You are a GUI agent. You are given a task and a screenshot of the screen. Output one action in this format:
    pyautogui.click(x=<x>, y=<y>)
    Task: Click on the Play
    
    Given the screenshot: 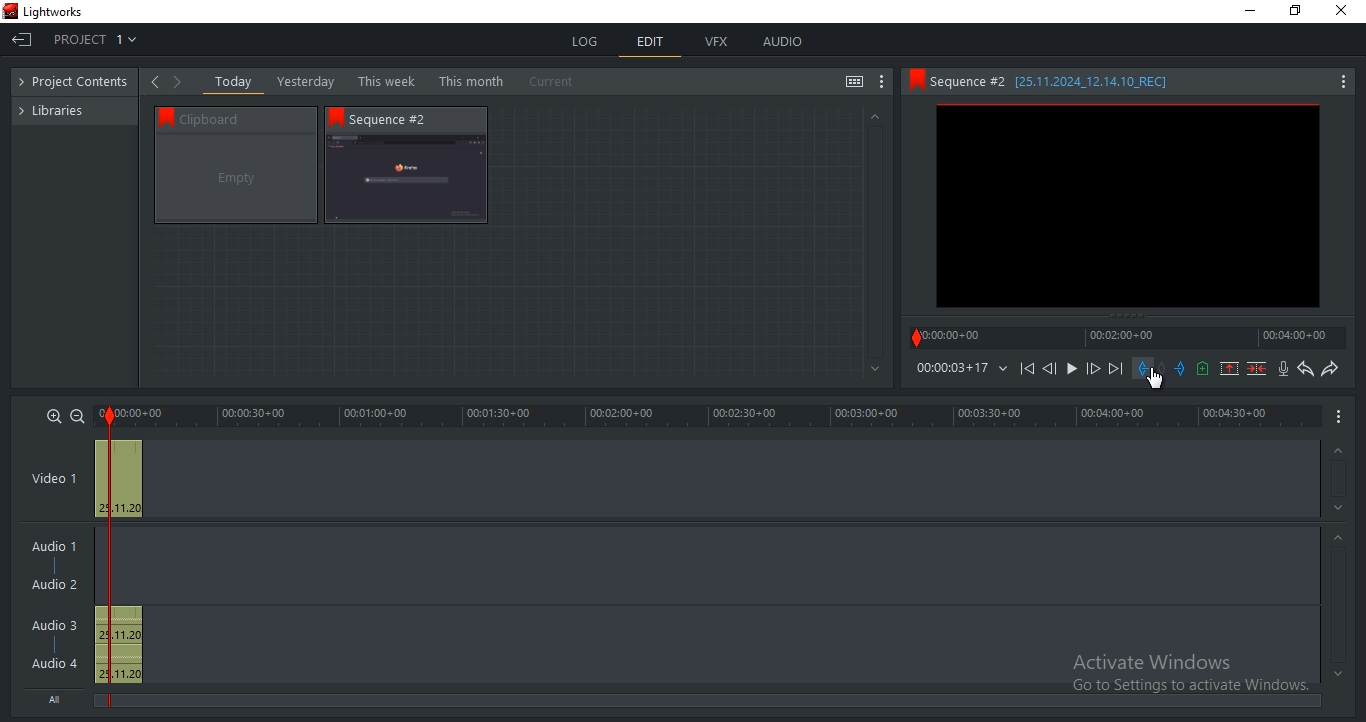 What is the action you would take?
    pyautogui.click(x=1072, y=369)
    